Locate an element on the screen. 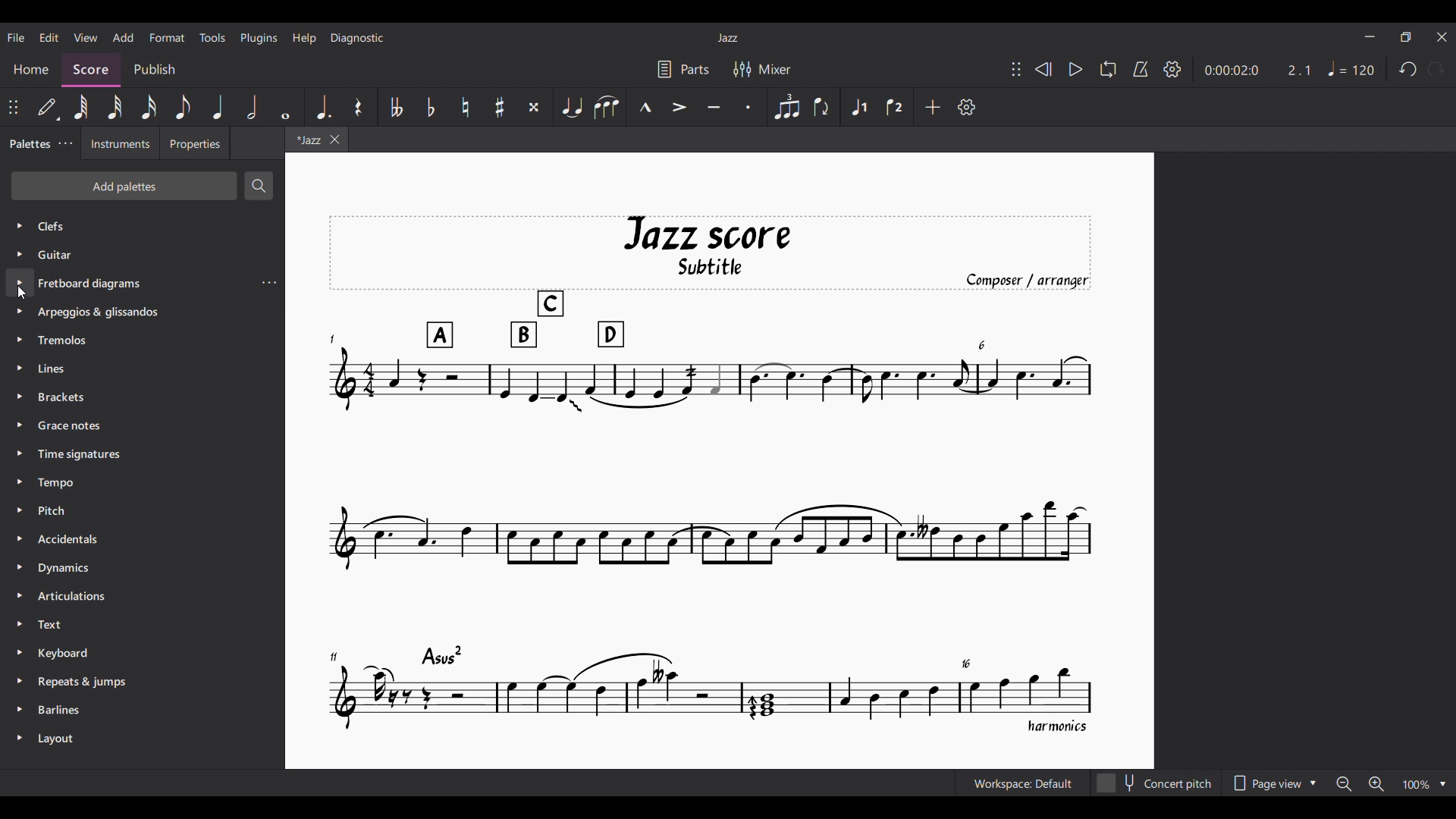 The height and width of the screenshot is (819, 1456). Diagnostic menu is located at coordinates (357, 38).